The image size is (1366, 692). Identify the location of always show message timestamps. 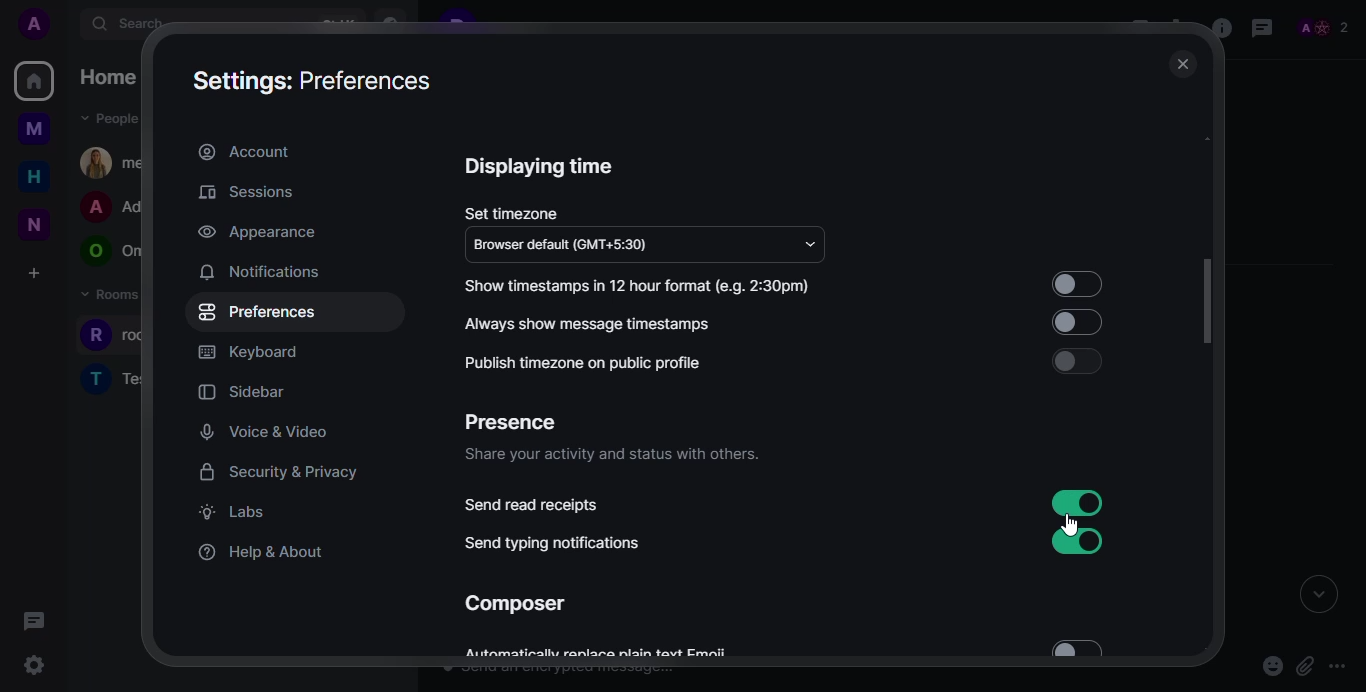
(593, 324).